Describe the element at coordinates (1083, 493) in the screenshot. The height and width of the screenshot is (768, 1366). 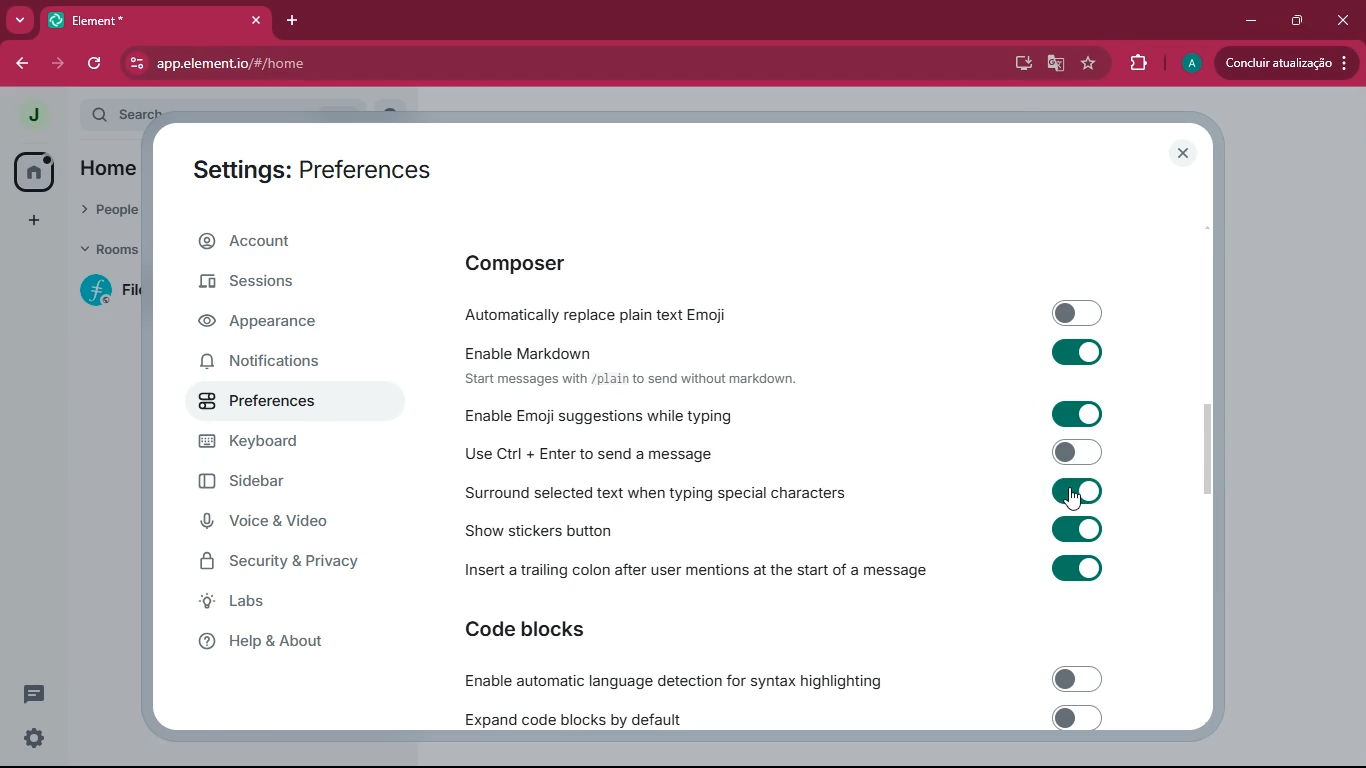
I see `on` at that location.